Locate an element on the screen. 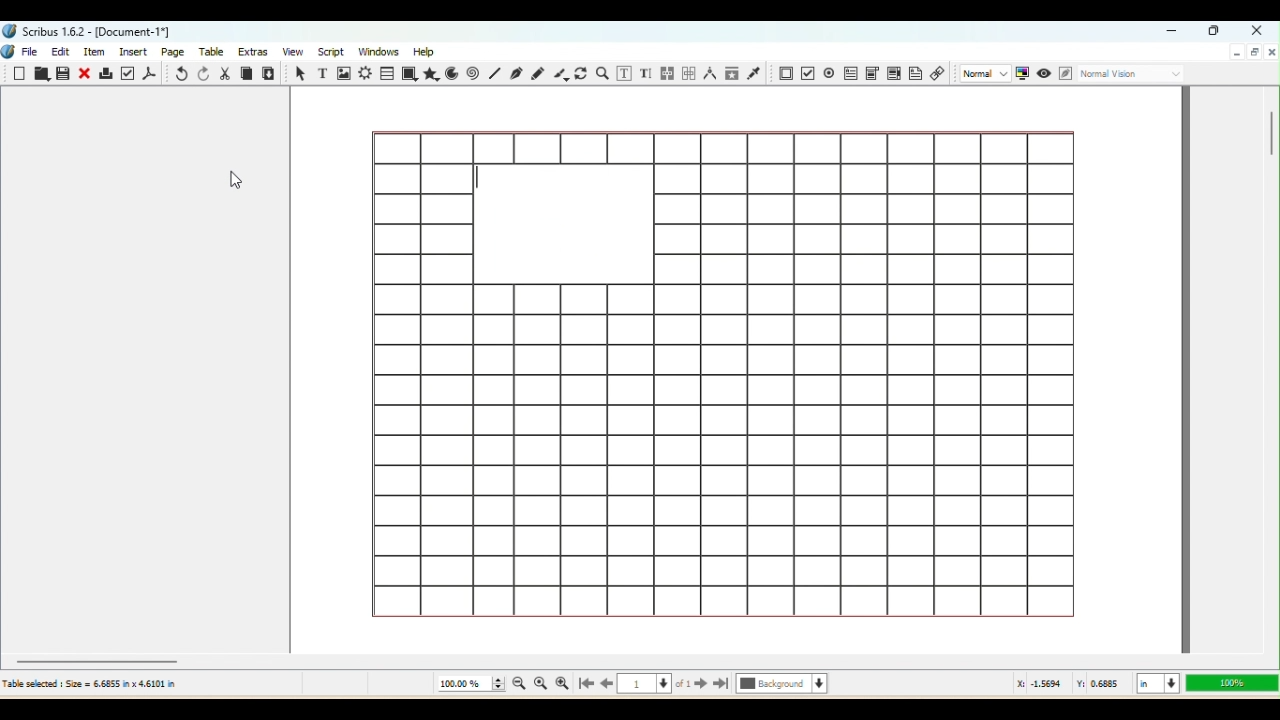 The width and height of the screenshot is (1280, 720). Paste is located at coordinates (270, 73).